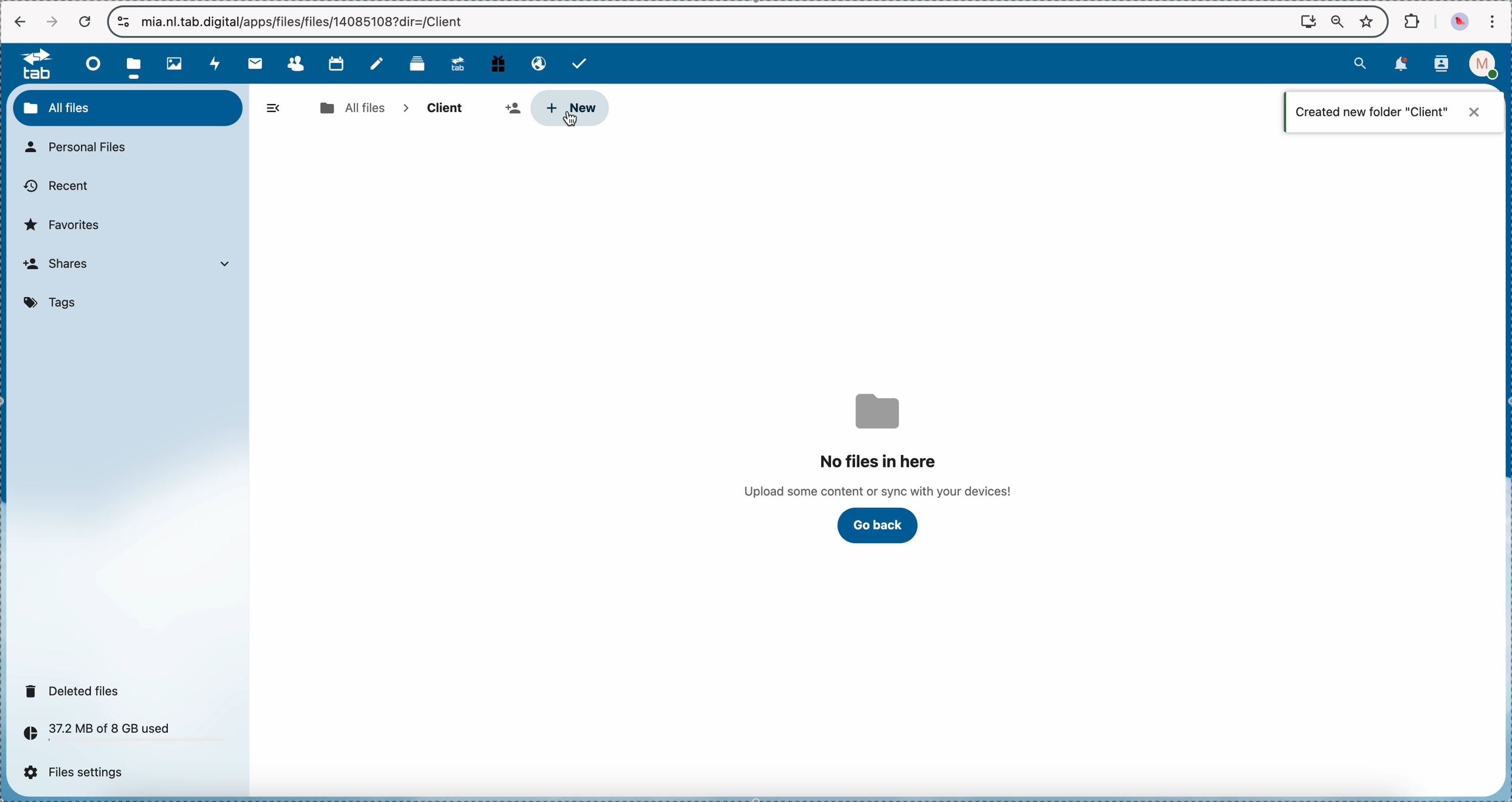 The width and height of the screenshot is (1512, 802). Describe the element at coordinates (128, 107) in the screenshot. I see `all files` at that location.